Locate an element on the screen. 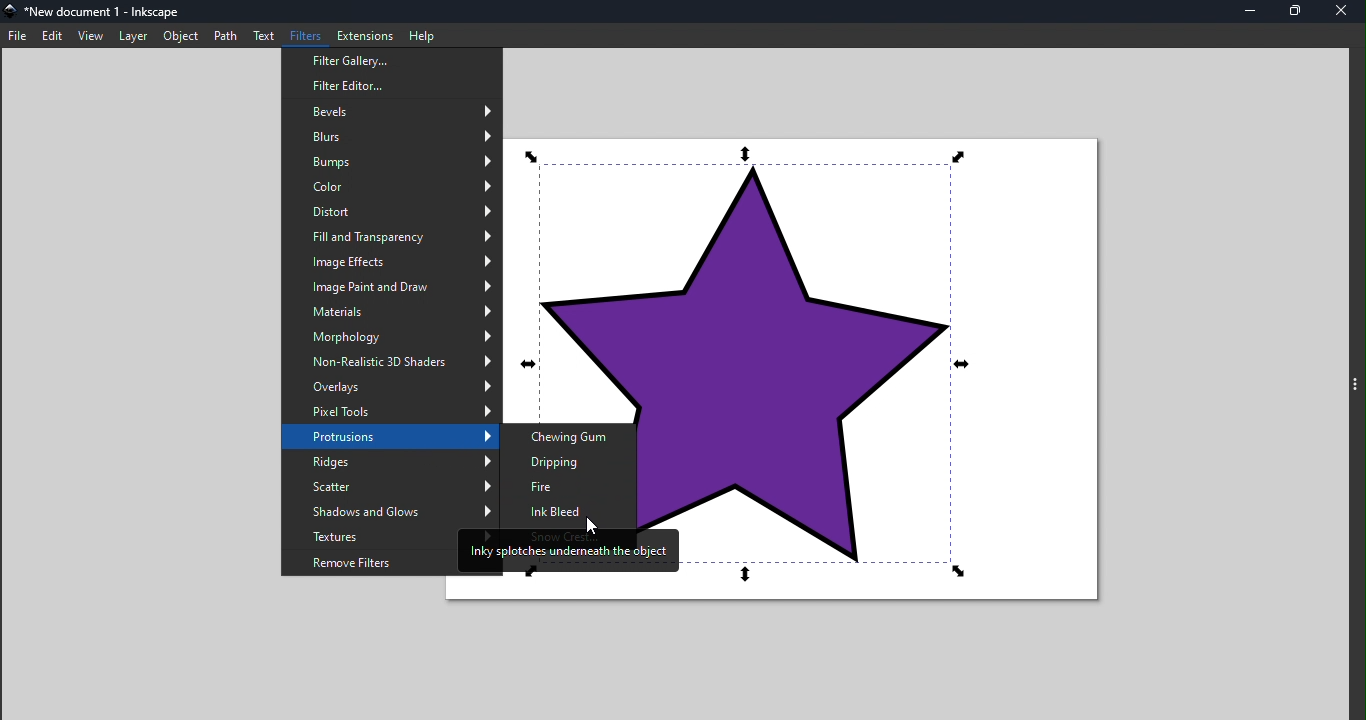 The width and height of the screenshot is (1366, 720). Extensions is located at coordinates (368, 34).